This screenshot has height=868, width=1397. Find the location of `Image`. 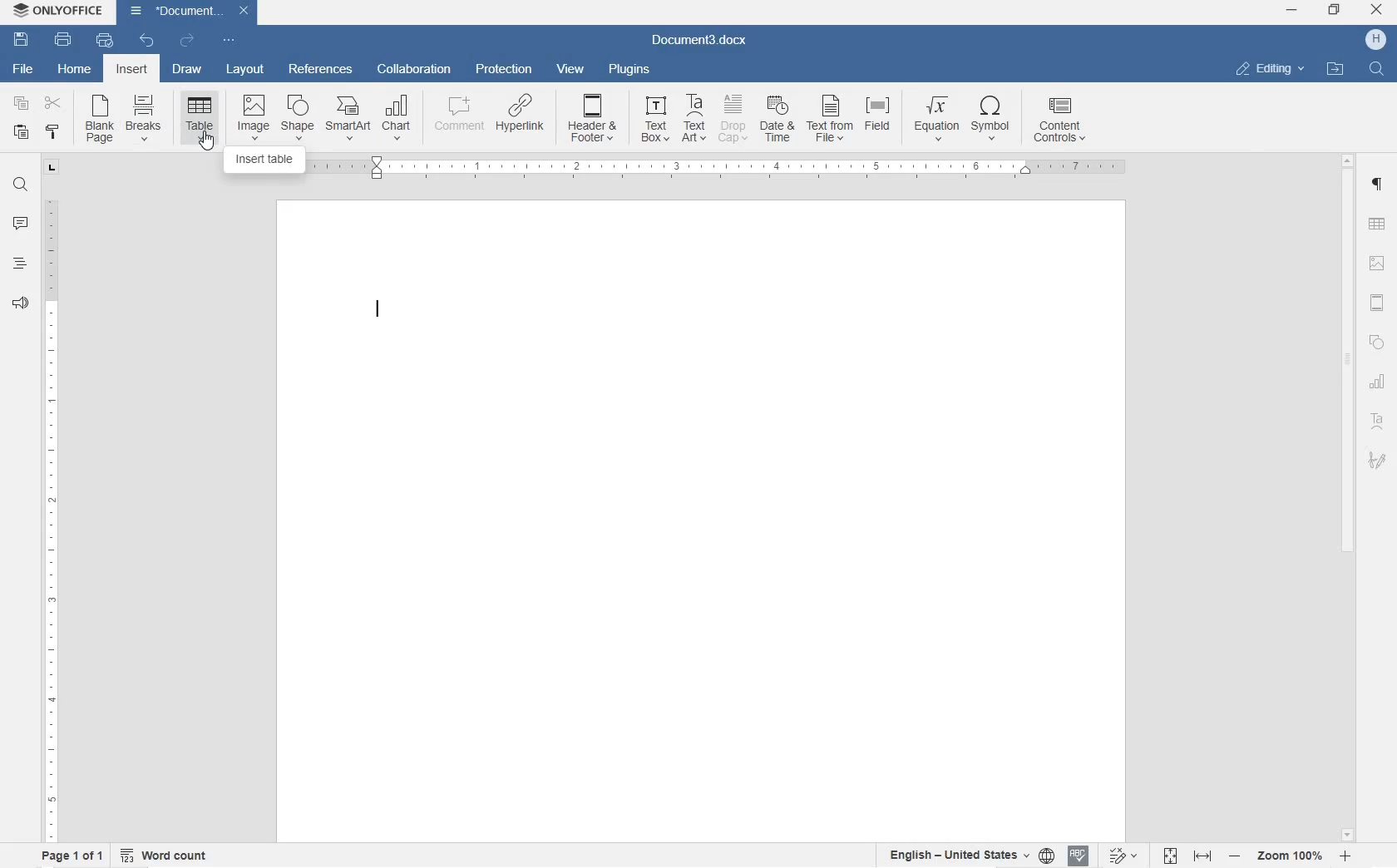

Image is located at coordinates (254, 116).